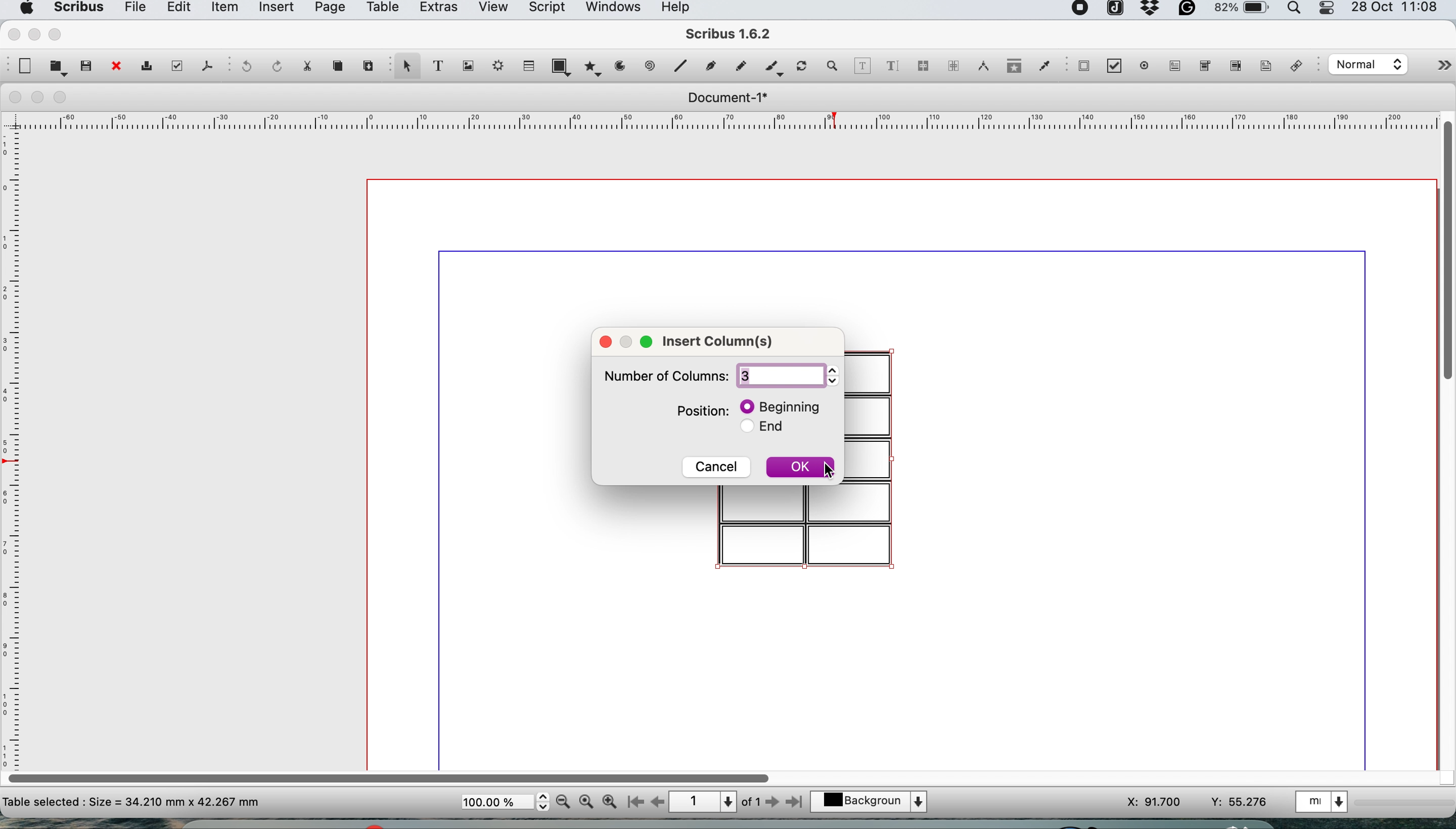 The image size is (1456, 829). I want to click on script, so click(545, 9).